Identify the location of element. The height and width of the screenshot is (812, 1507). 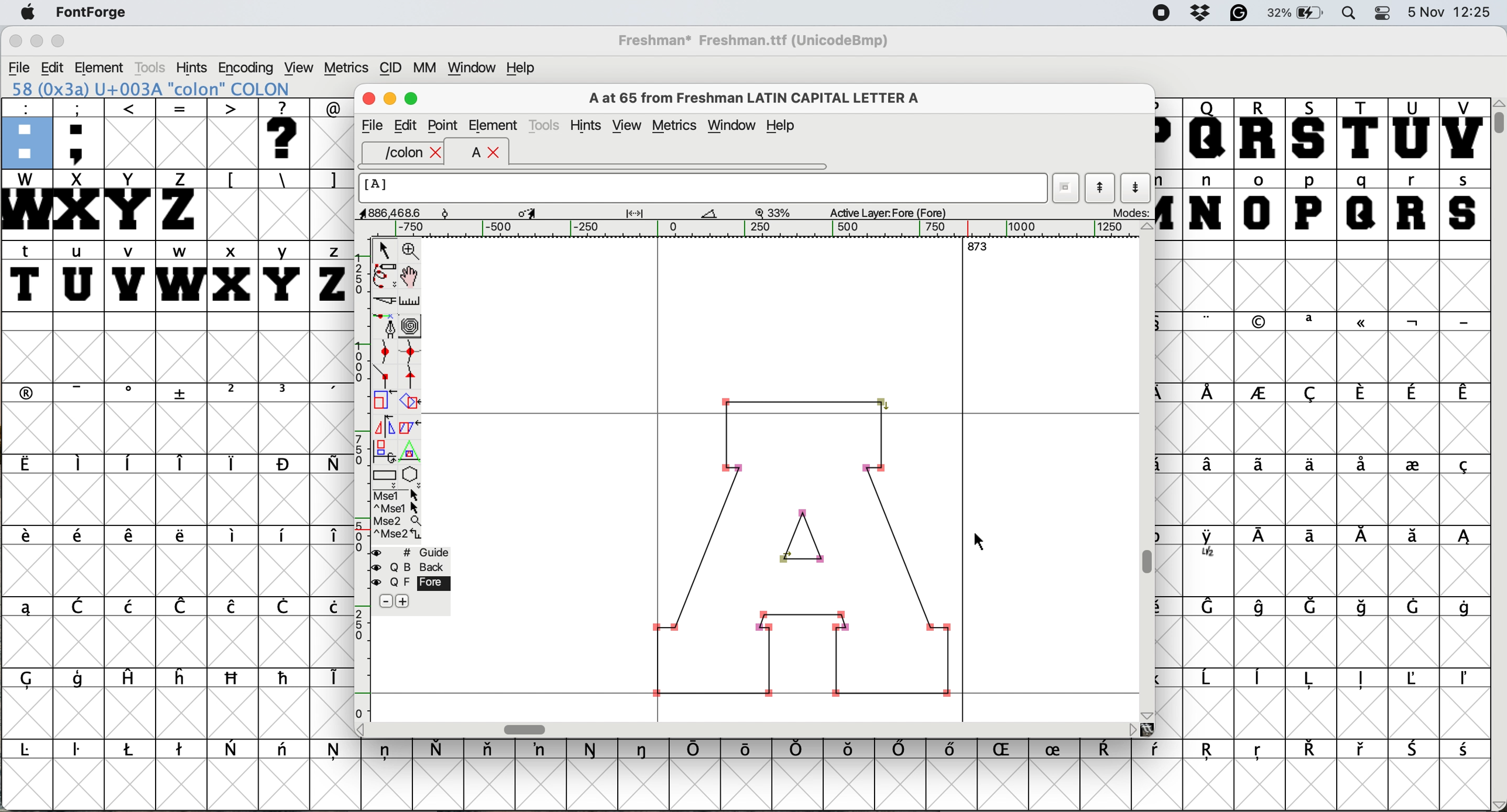
(493, 125).